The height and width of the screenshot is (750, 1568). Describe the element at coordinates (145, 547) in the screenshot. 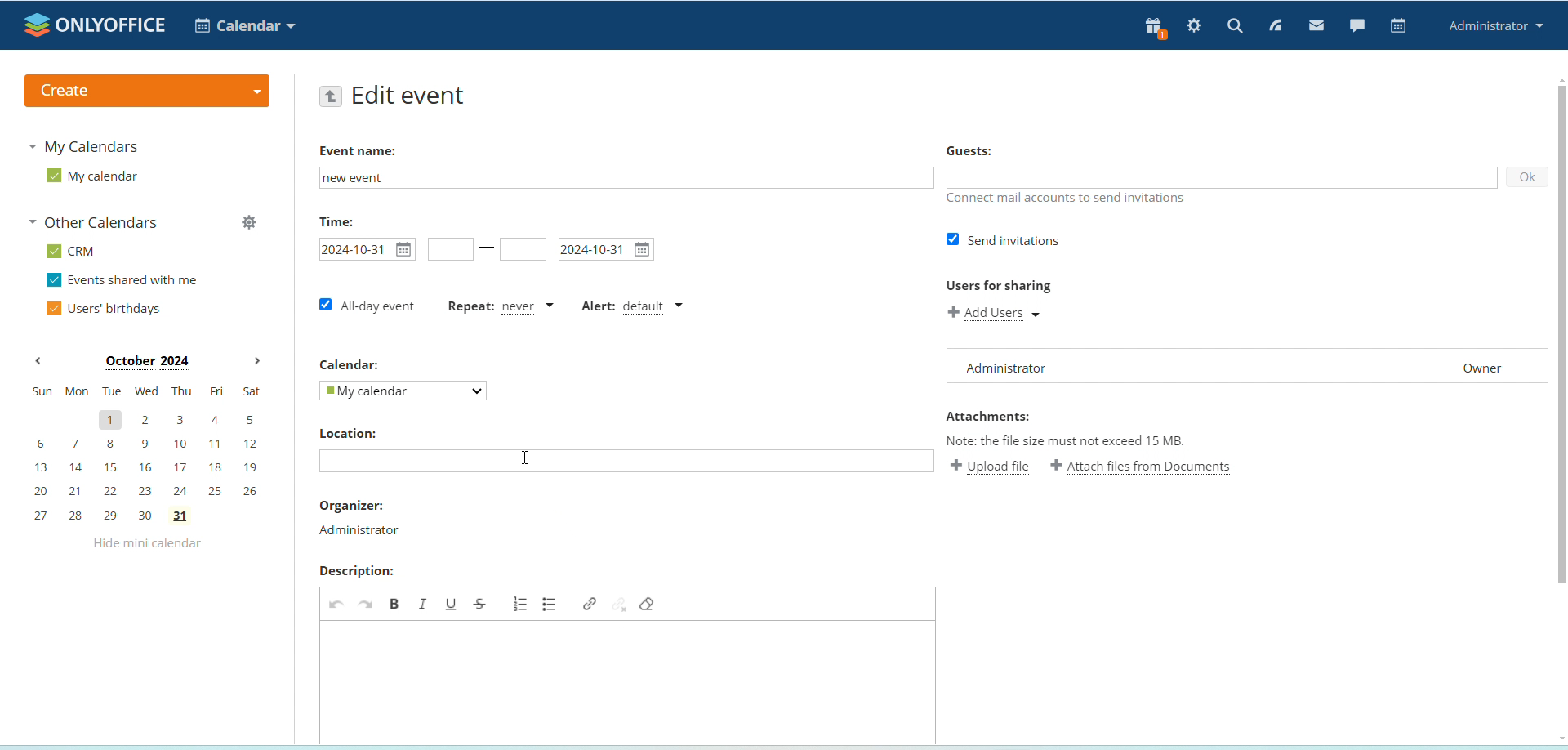

I see `hide mini calendar` at that location.